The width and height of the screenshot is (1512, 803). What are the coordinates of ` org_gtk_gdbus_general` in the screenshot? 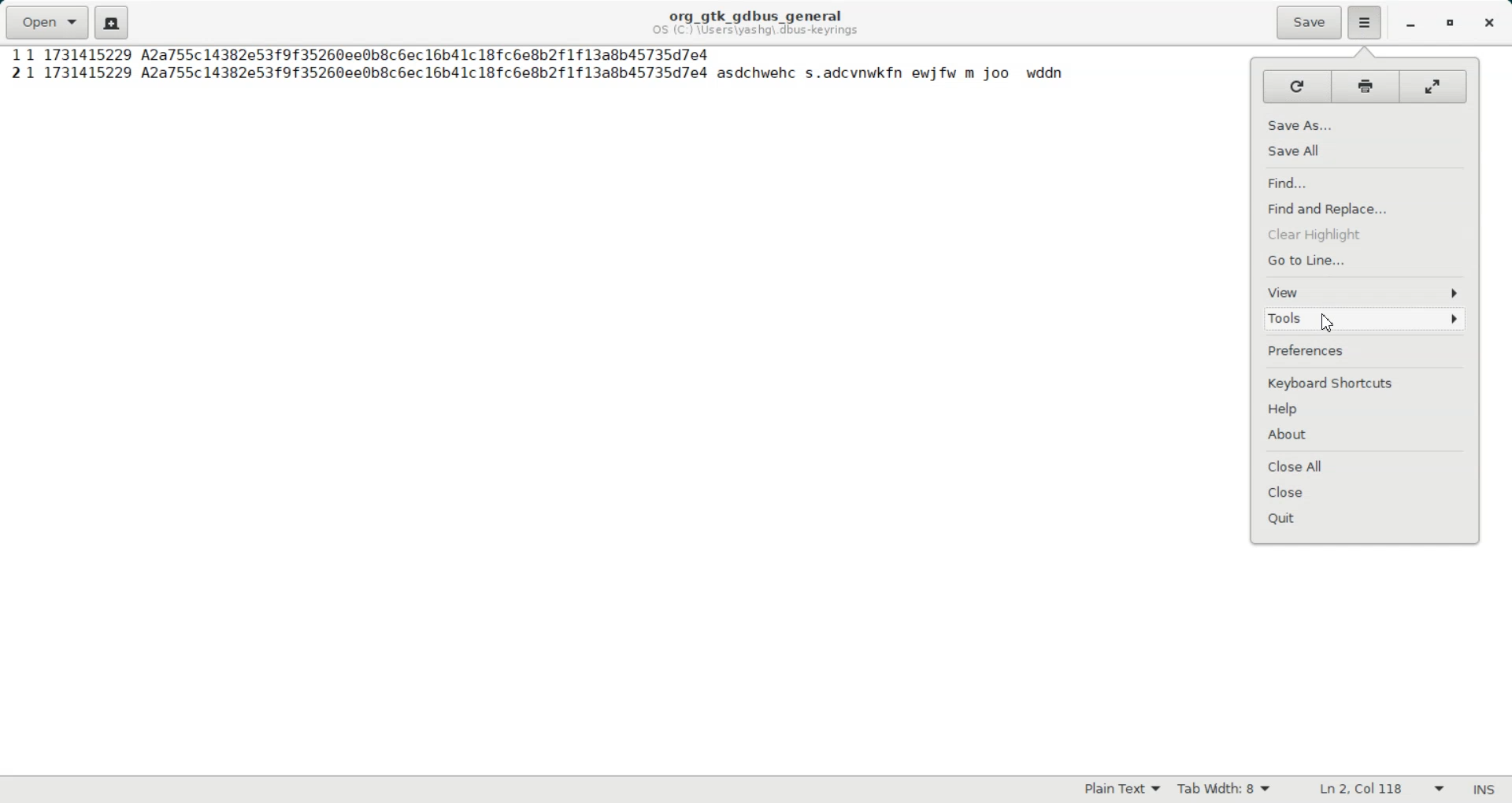 It's located at (755, 12).